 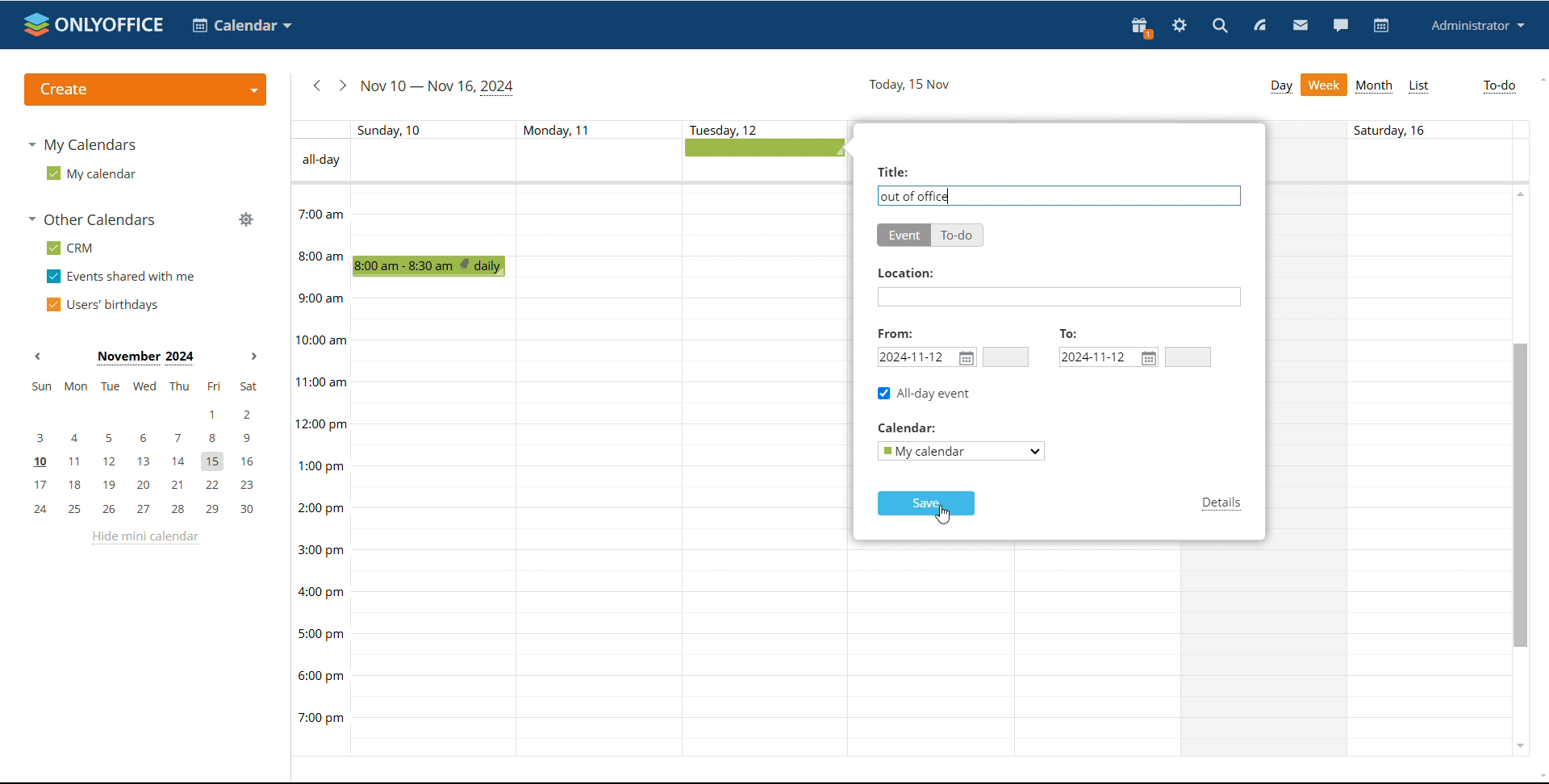 I want to click on mon, tue, wed, thu, fri, sat, sun, so click(x=144, y=387).